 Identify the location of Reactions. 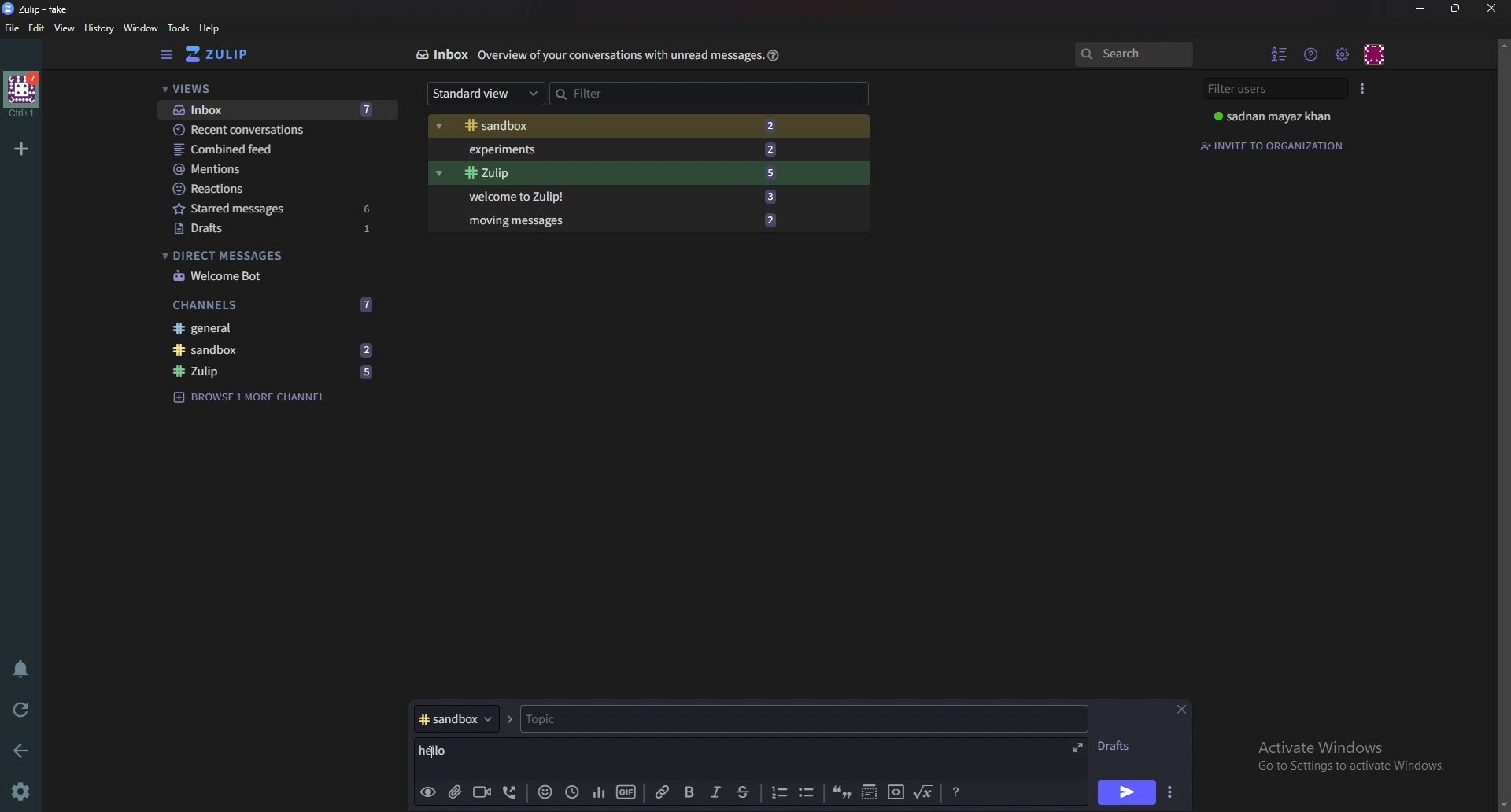
(272, 189).